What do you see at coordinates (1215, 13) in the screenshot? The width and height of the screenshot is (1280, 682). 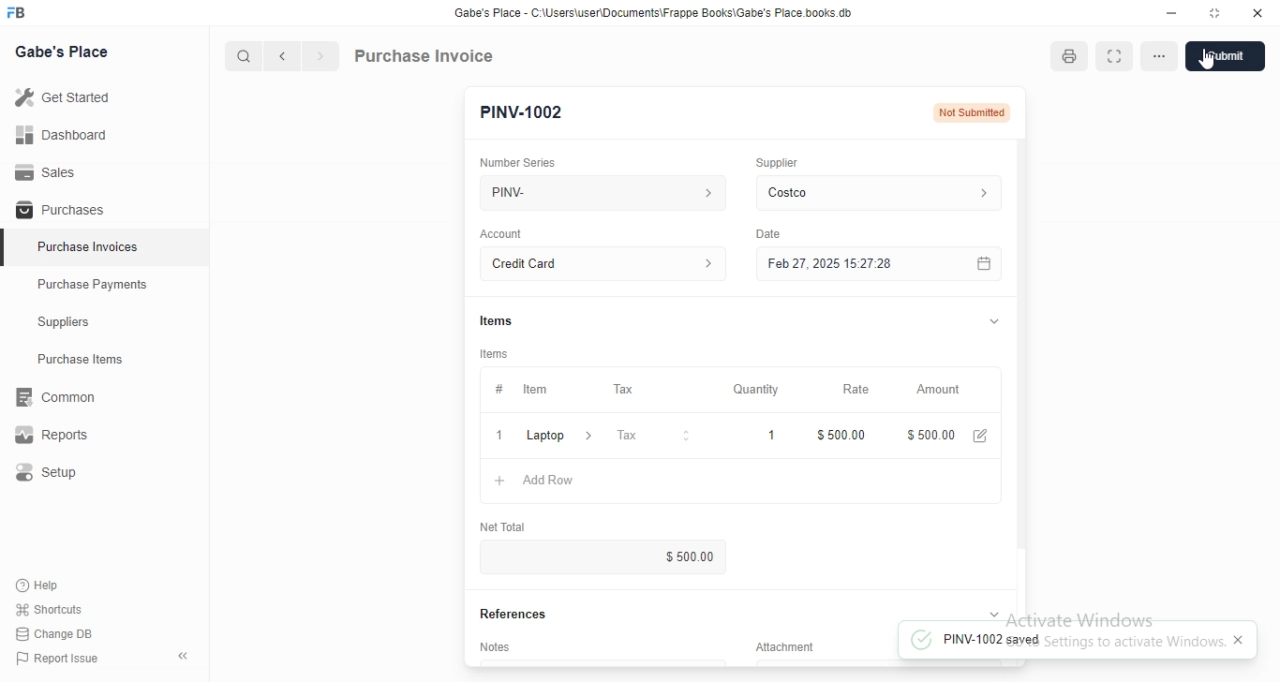 I see `Change dimension` at bounding box center [1215, 13].